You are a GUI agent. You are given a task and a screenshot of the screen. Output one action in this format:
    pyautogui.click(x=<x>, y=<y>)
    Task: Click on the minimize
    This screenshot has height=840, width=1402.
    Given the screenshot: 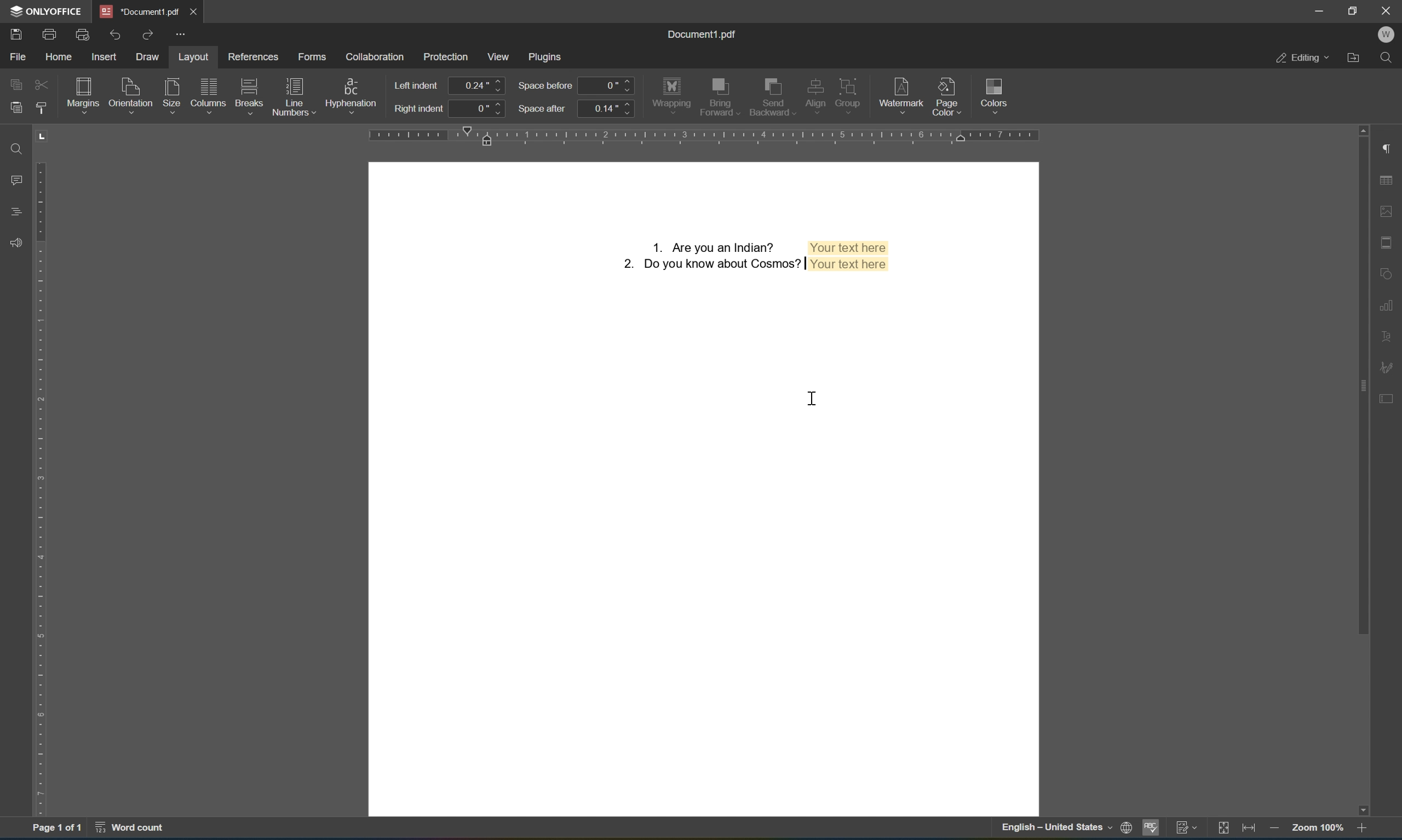 What is the action you would take?
    pyautogui.click(x=1320, y=8)
    